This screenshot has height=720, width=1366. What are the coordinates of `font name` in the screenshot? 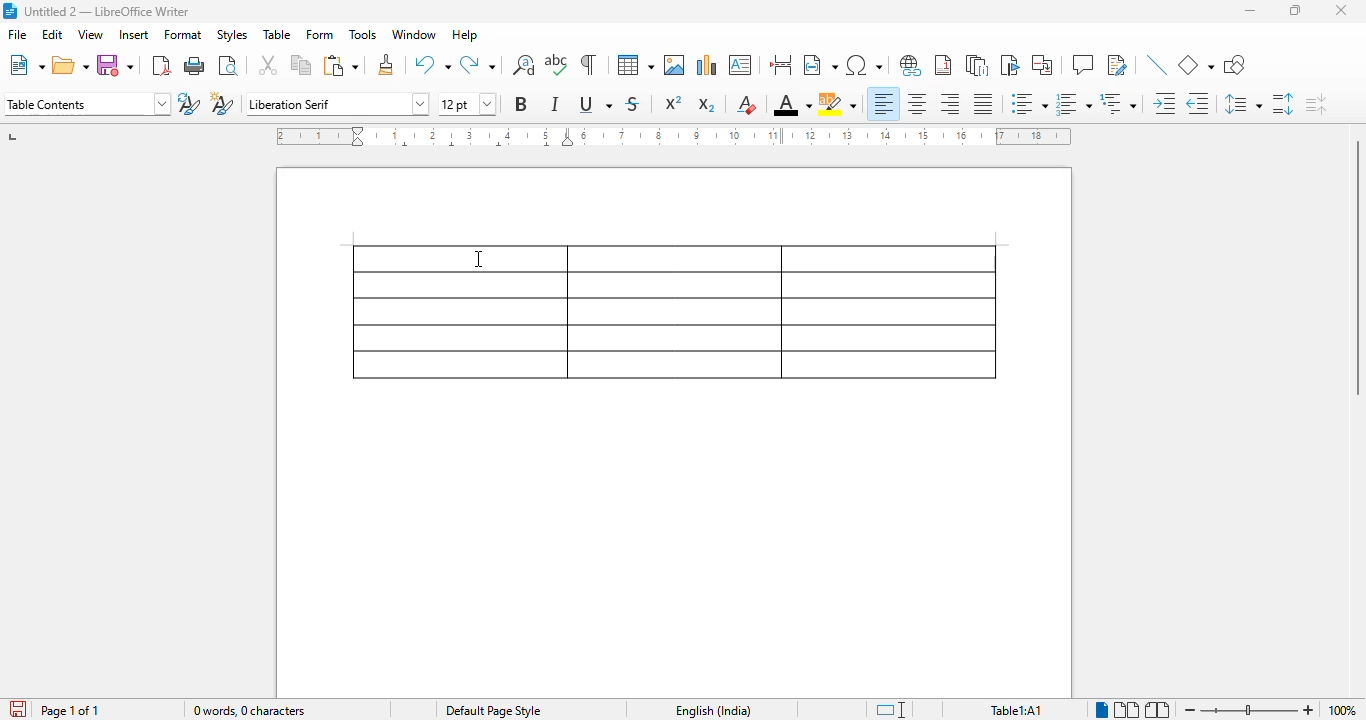 It's located at (336, 104).